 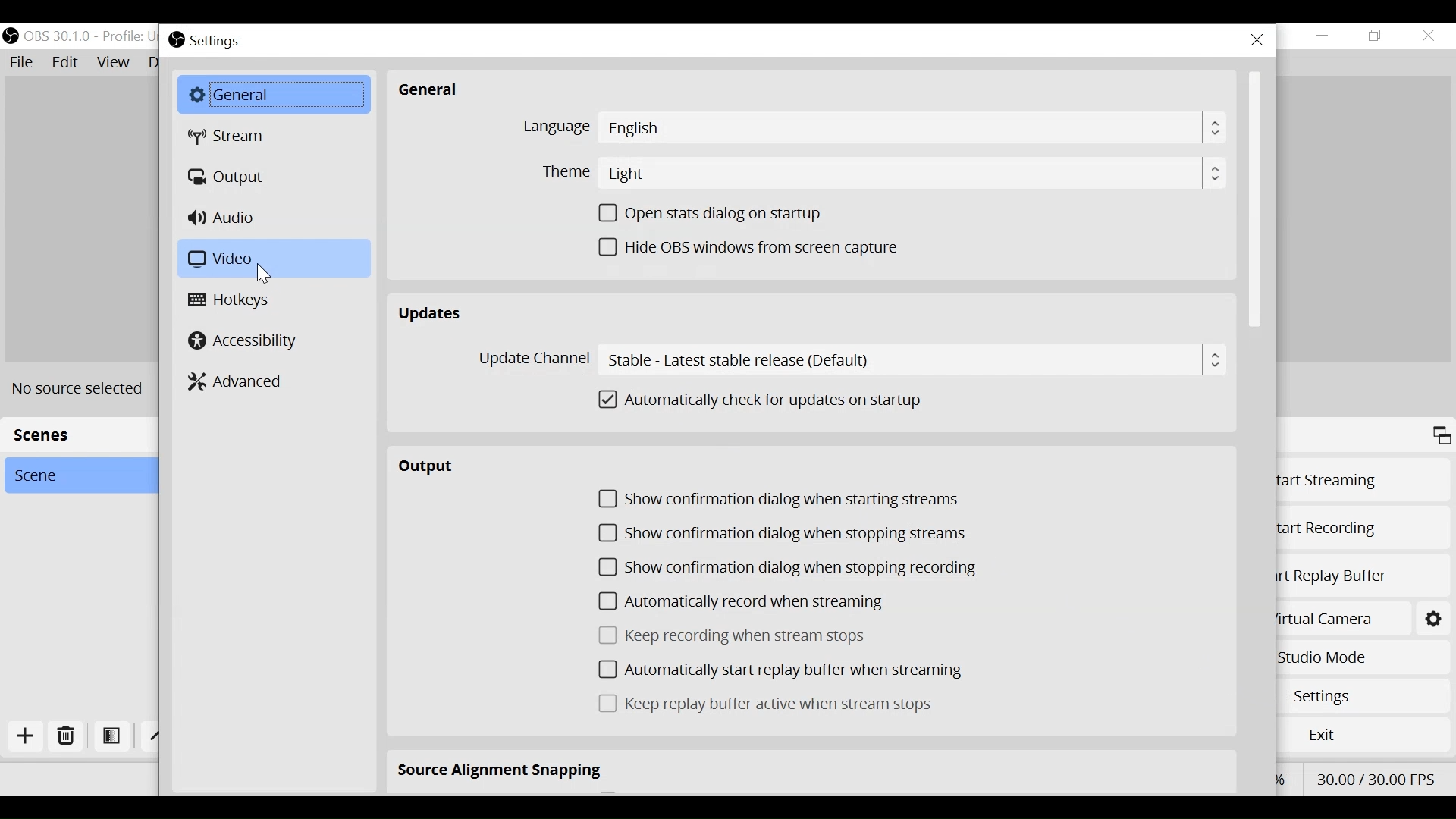 What do you see at coordinates (536, 359) in the screenshot?
I see `Update Channel` at bounding box center [536, 359].